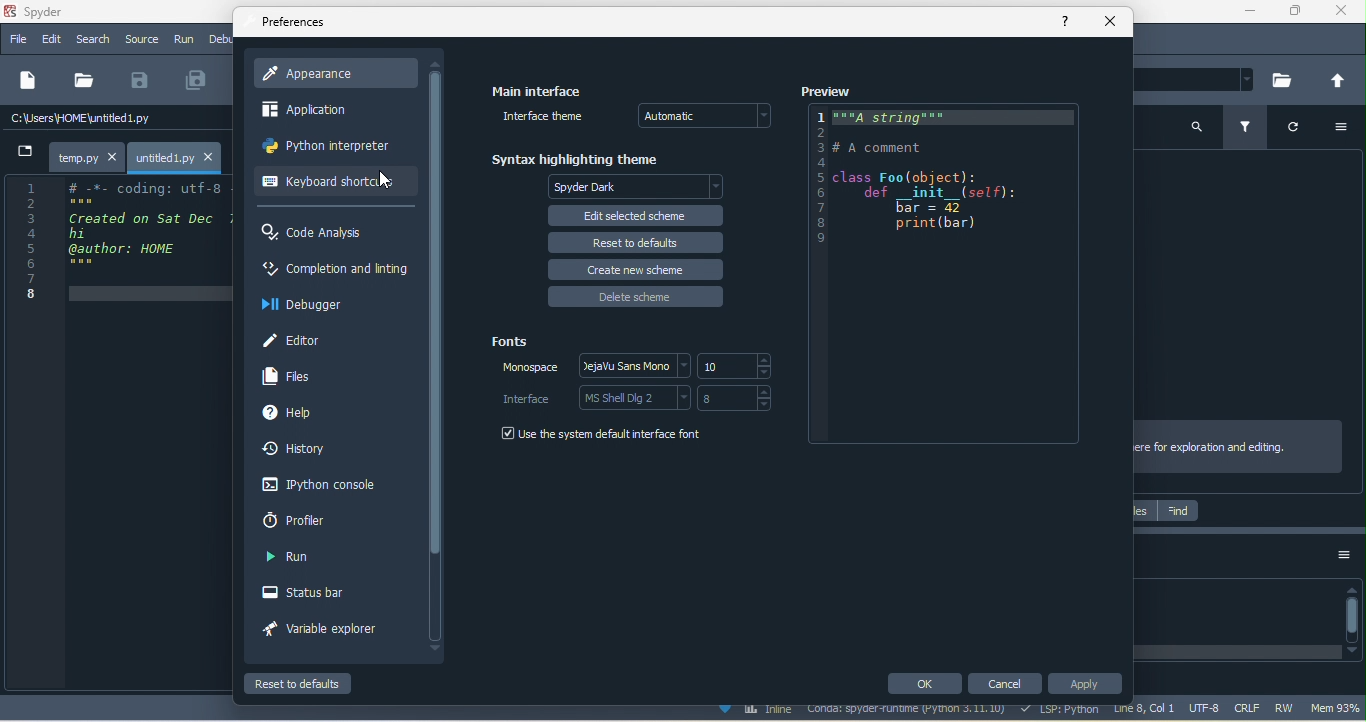 This screenshot has height=722, width=1366. I want to click on filter, so click(1248, 128).